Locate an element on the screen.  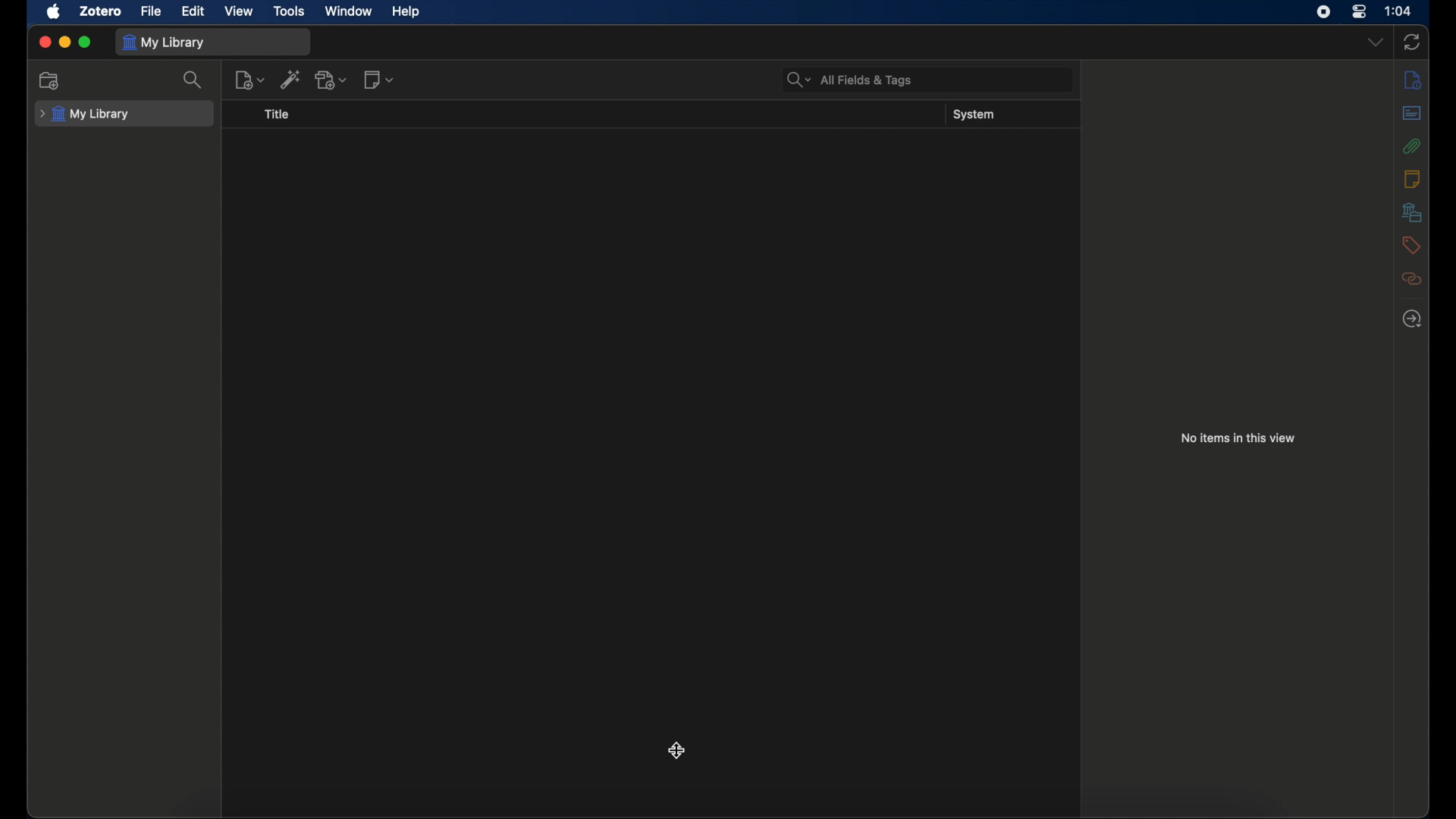
new notes is located at coordinates (381, 80).